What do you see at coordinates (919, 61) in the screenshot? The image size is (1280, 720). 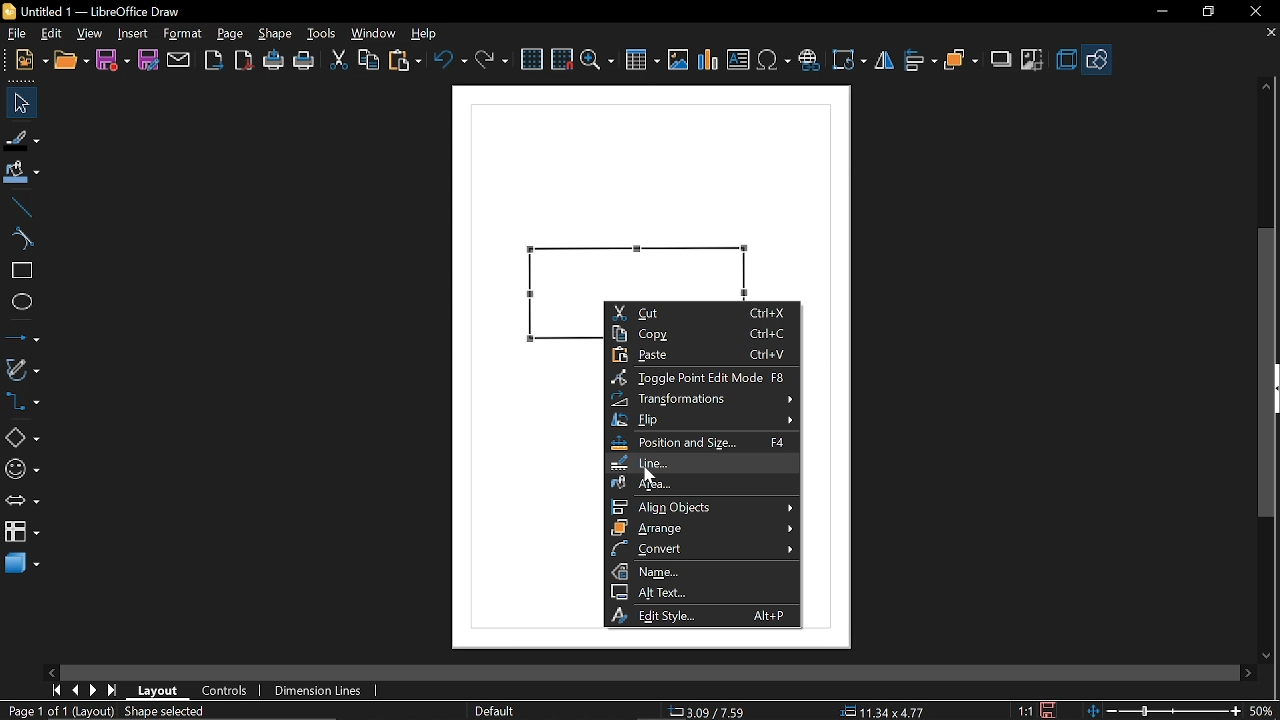 I see `allign` at bounding box center [919, 61].